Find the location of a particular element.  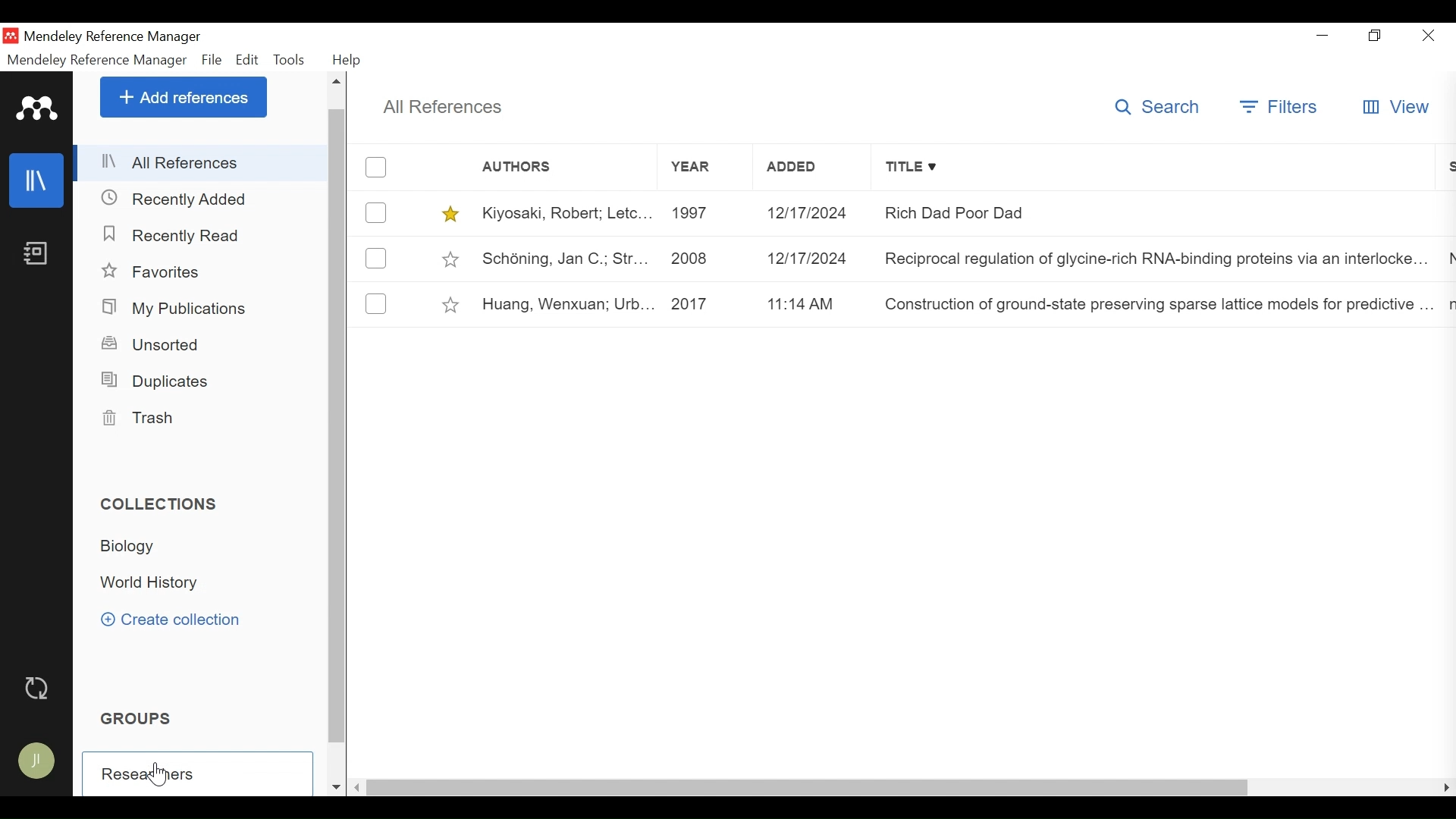

All References is located at coordinates (447, 106).